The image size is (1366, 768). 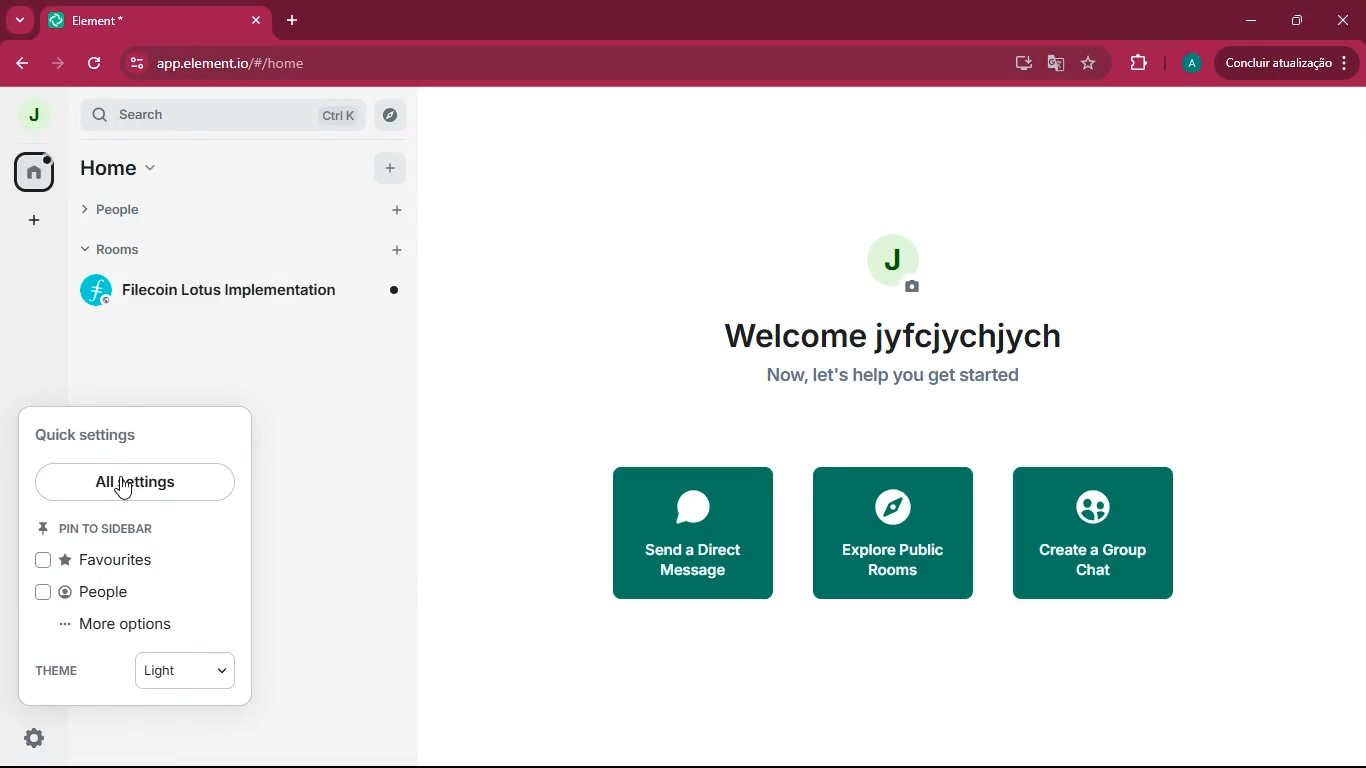 What do you see at coordinates (93, 64) in the screenshot?
I see `refresh` at bounding box center [93, 64].